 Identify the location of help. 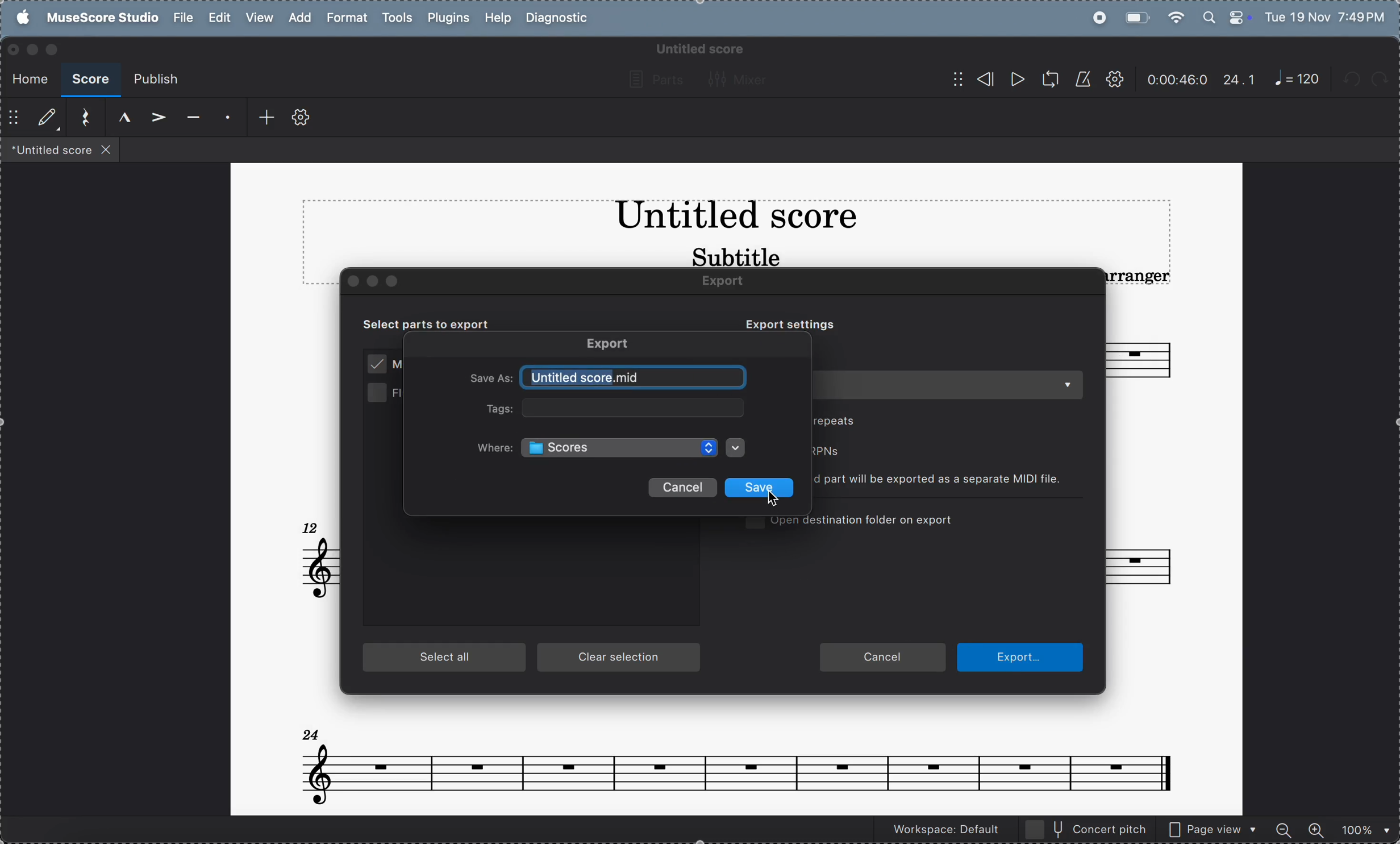
(497, 19).